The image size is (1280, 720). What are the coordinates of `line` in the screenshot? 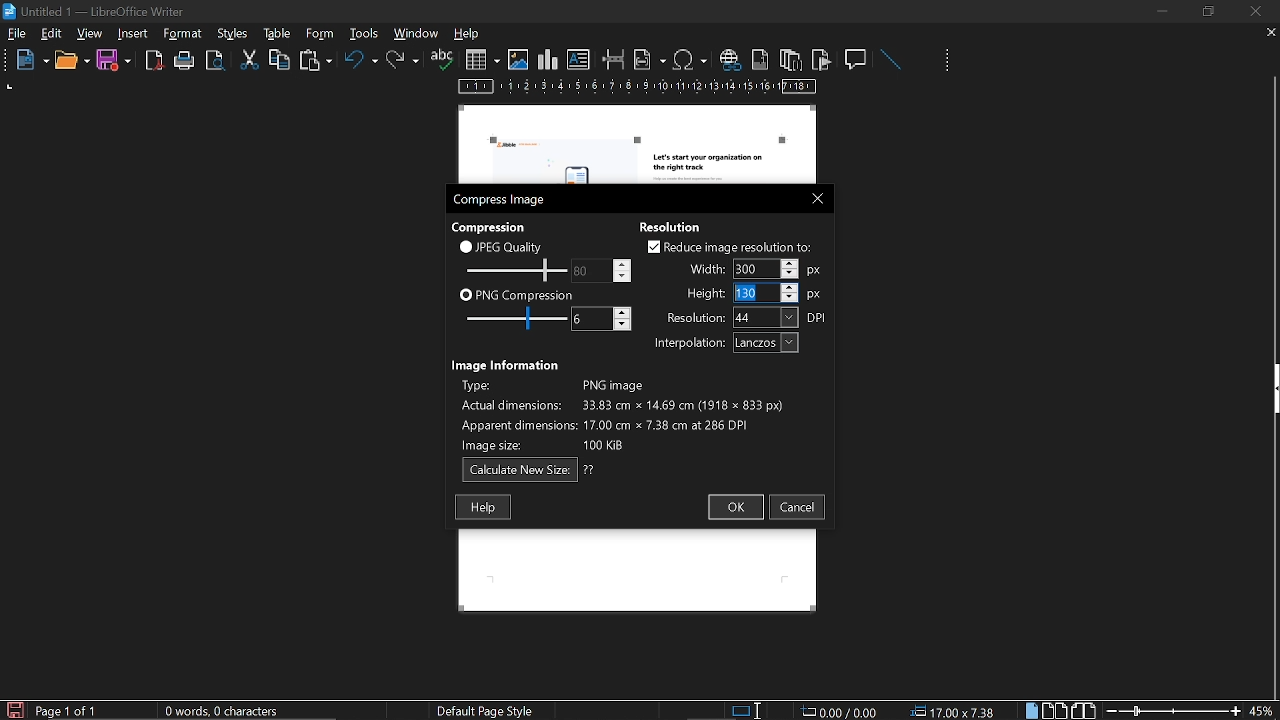 It's located at (890, 60).